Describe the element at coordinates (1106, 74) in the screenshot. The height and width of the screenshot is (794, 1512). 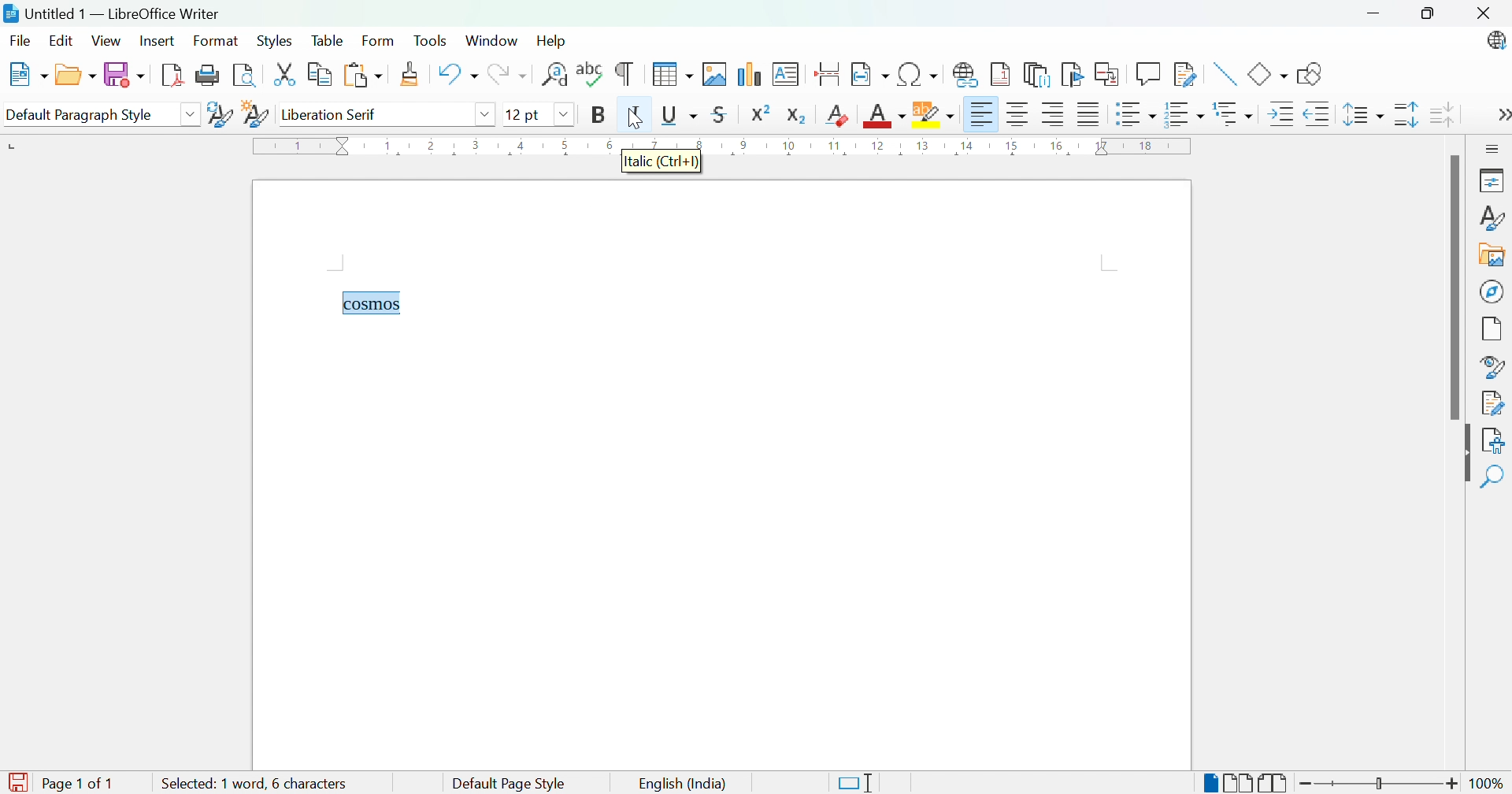
I see `Insert cross-reference` at that location.